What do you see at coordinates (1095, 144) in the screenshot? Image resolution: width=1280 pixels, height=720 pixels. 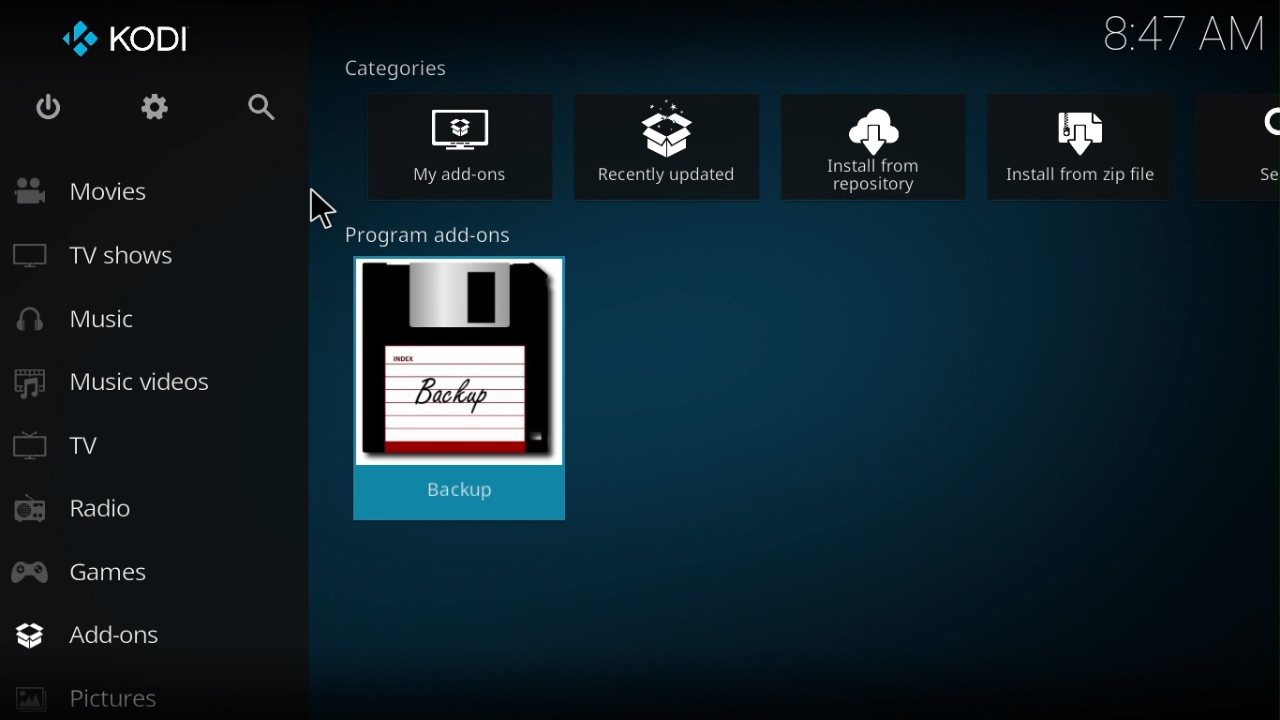 I see `Install from zip file` at bounding box center [1095, 144].